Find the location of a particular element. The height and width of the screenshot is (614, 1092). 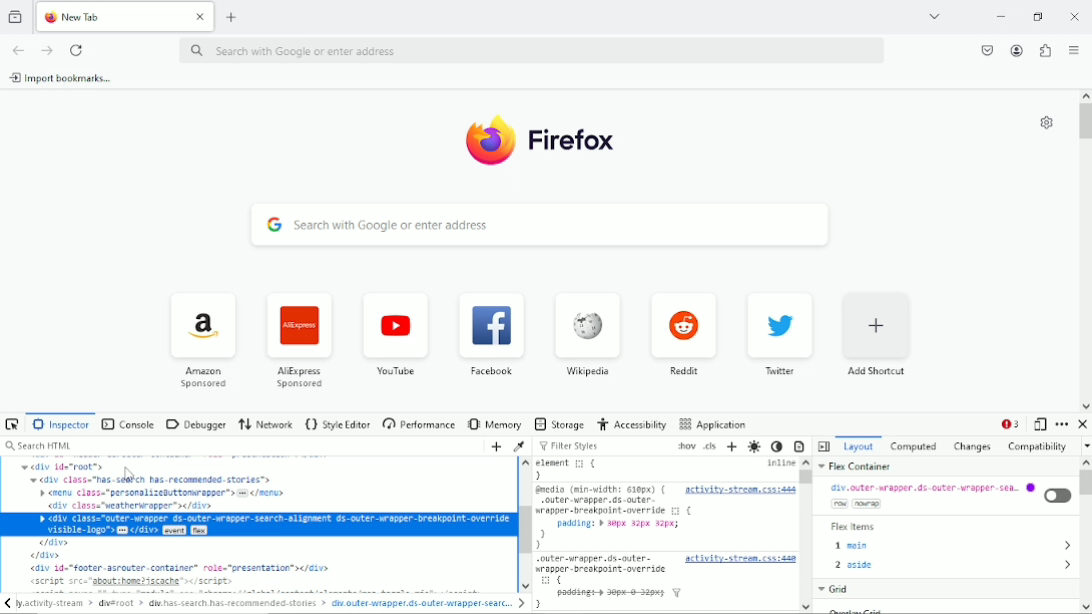

Toggle print media simulation for the page is located at coordinates (799, 445).